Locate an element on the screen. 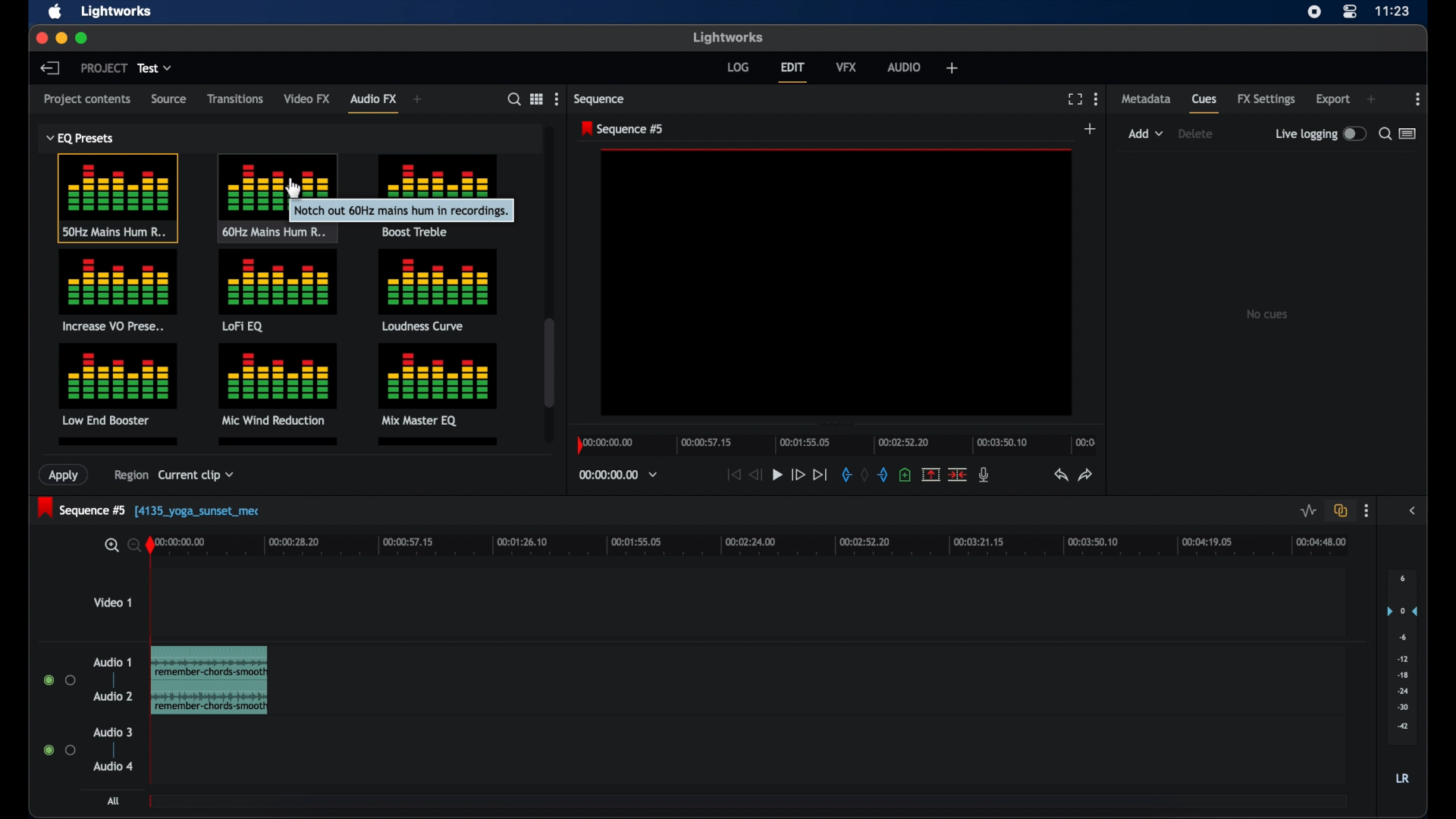 The image size is (1456, 819). 50hz is located at coordinates (118, 199).